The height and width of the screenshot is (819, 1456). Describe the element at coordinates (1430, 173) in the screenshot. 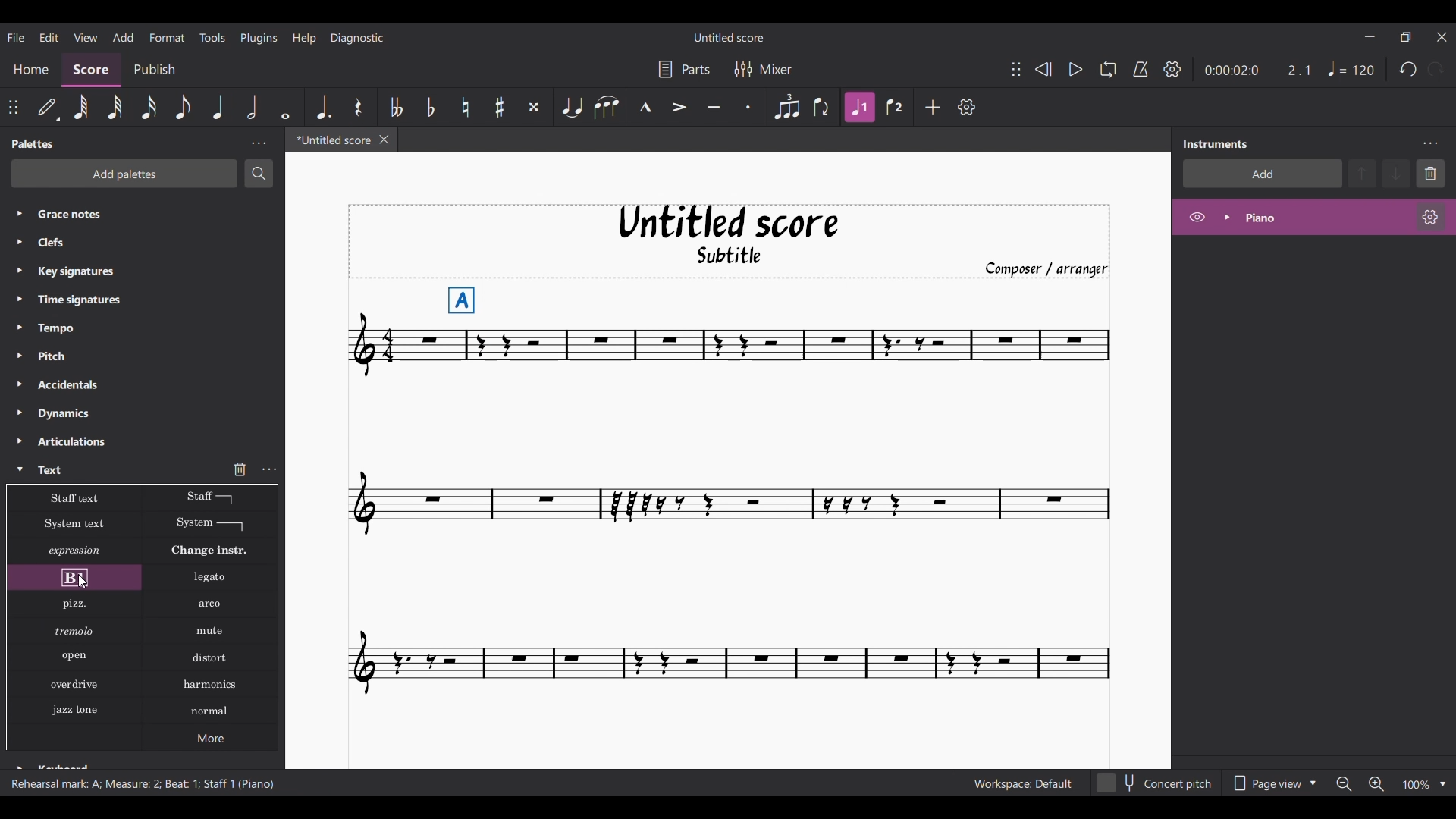

I see `Delete selection` at that location.